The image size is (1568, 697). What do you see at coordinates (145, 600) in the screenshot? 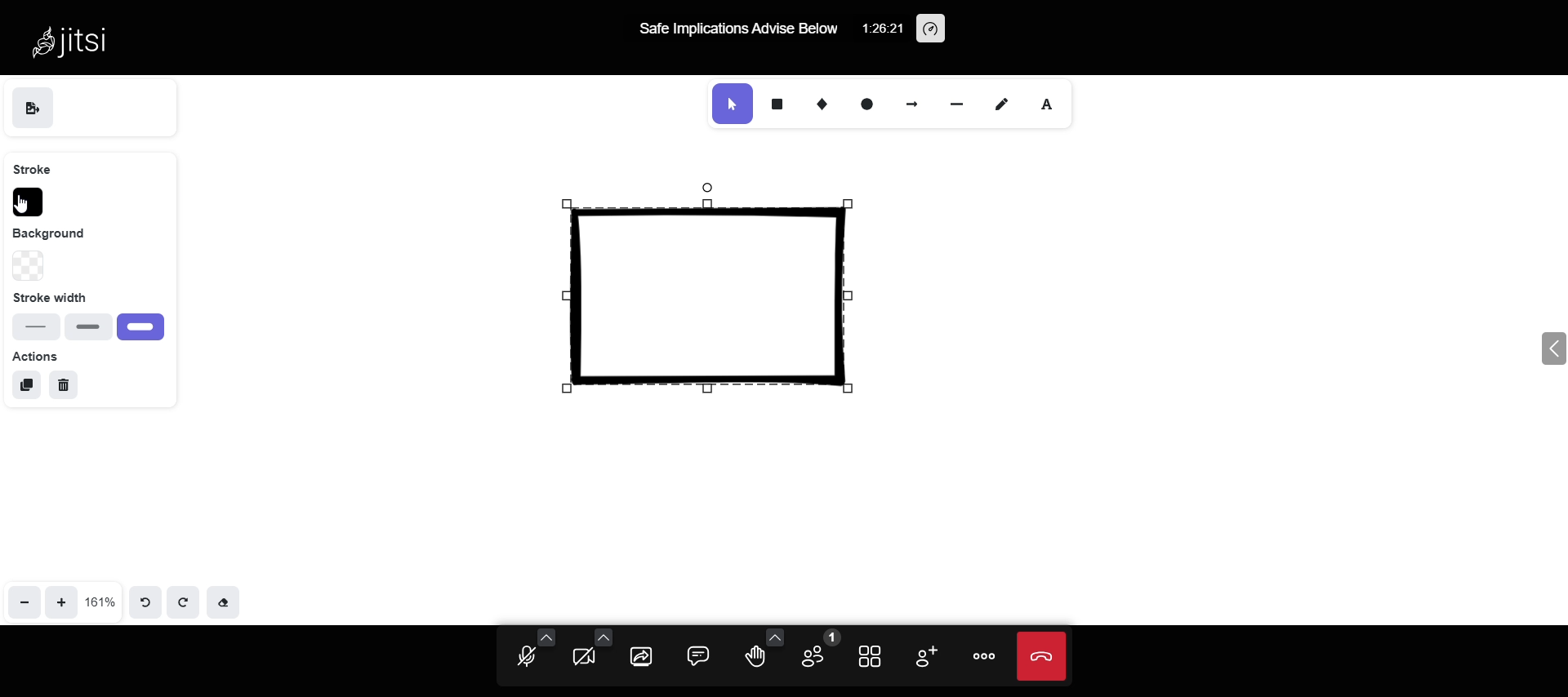
I see `undo` at bounding box center [145, 600].